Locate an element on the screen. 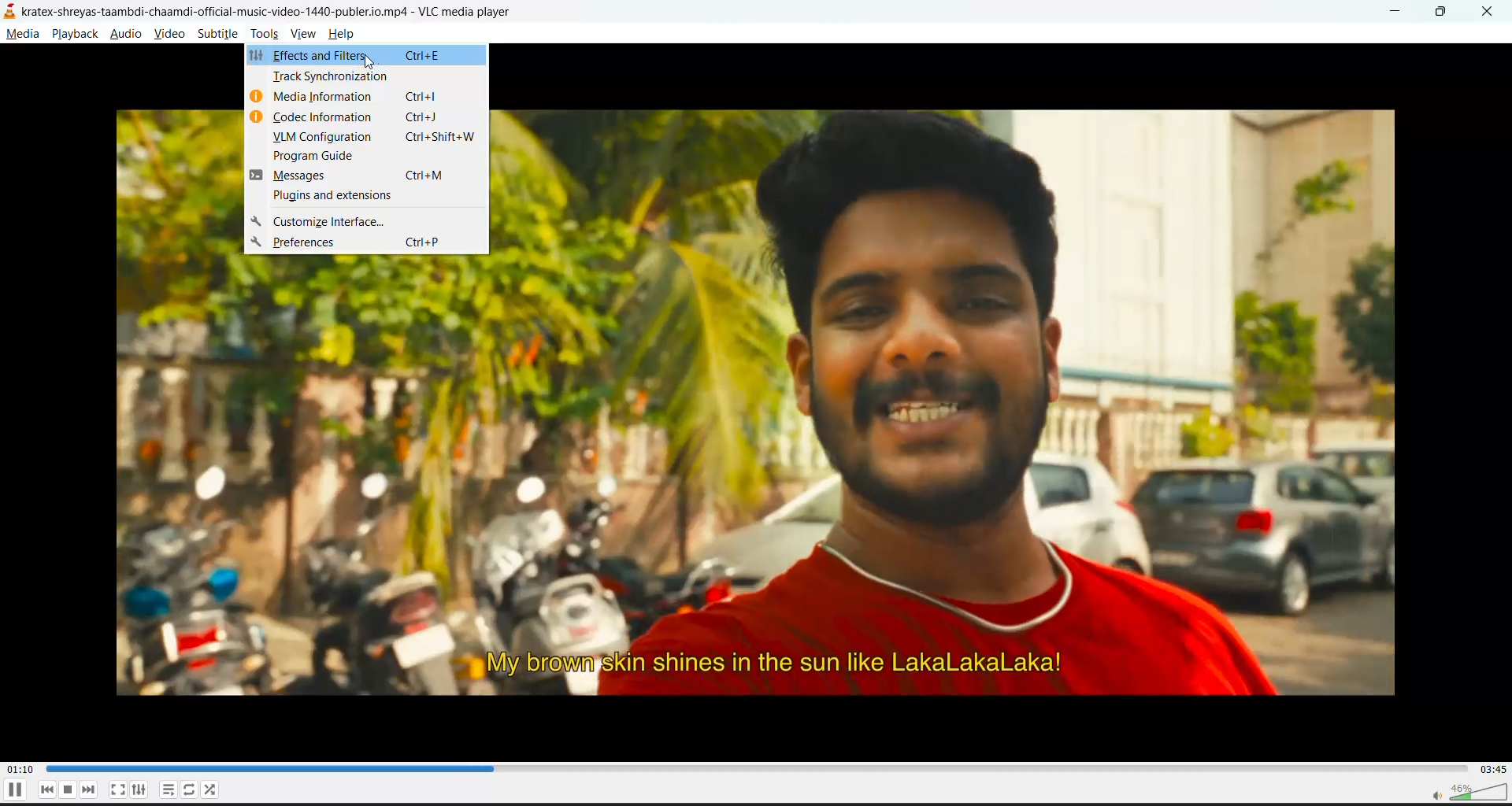  maximize is located at coordinates (1446, 13).